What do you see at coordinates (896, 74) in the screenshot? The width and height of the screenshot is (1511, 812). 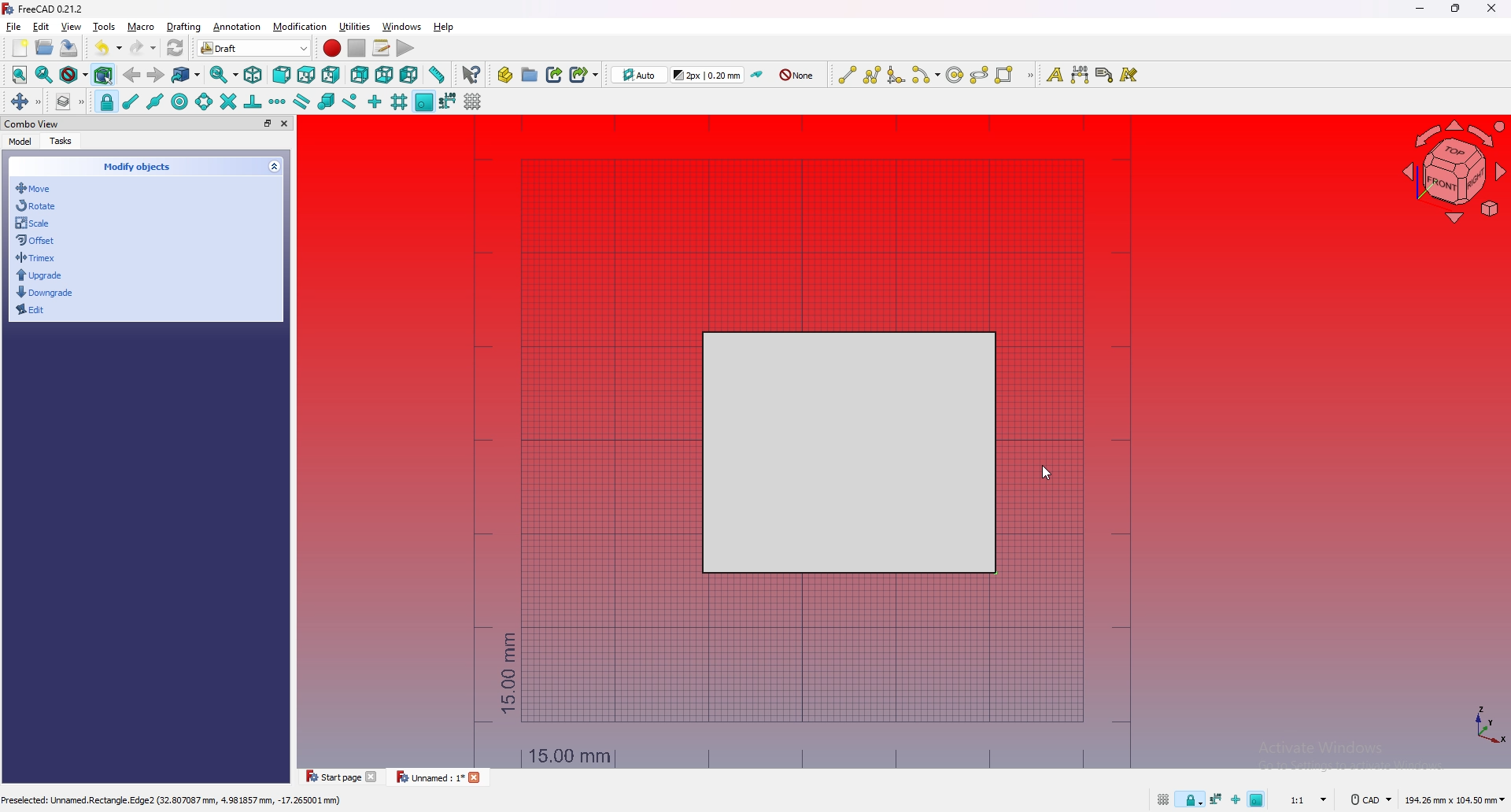 I see `fillet` at bounding box center [896, 74].